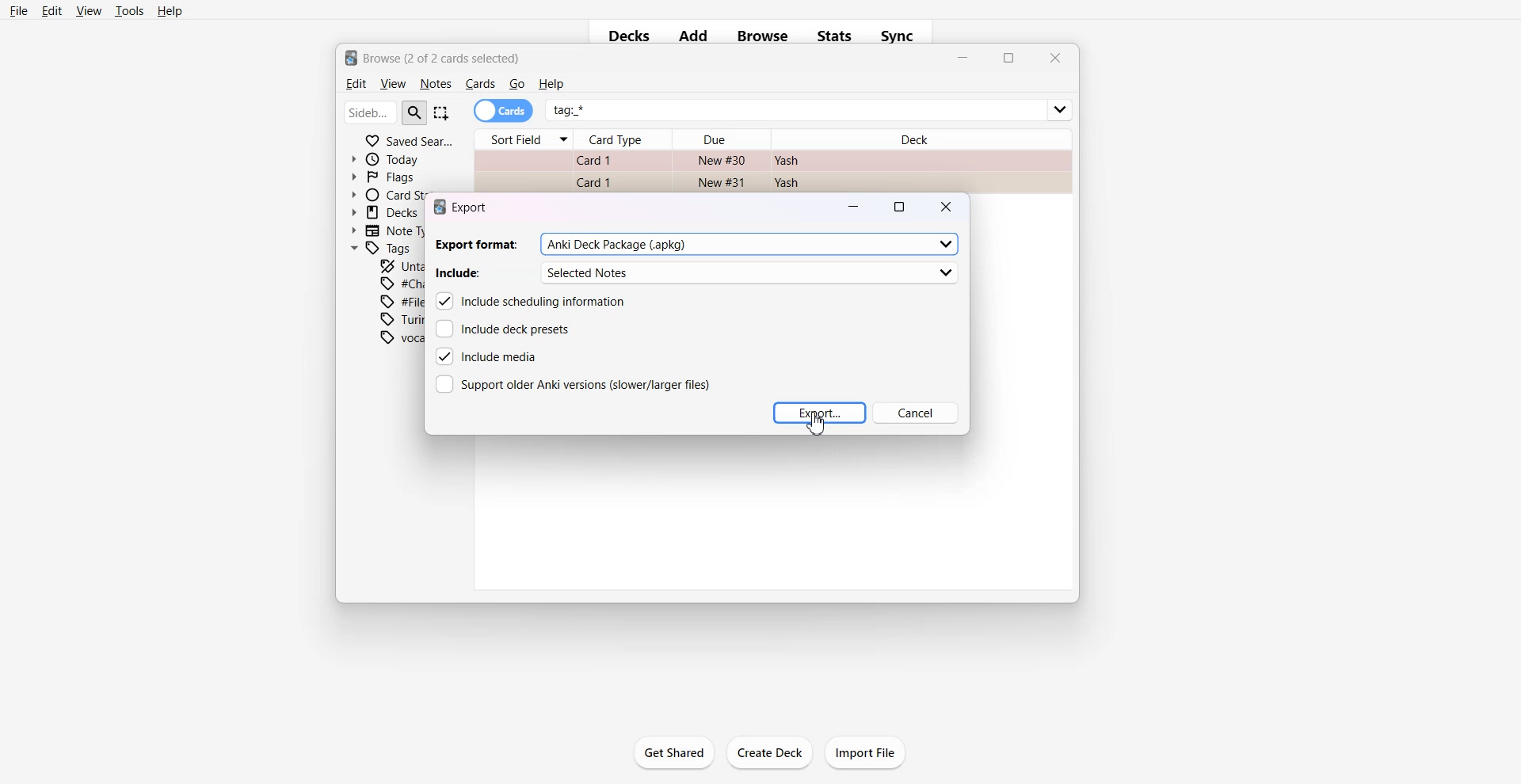 The image size is (1521, 784). I want to click on Maximize, so click(1008, 59).